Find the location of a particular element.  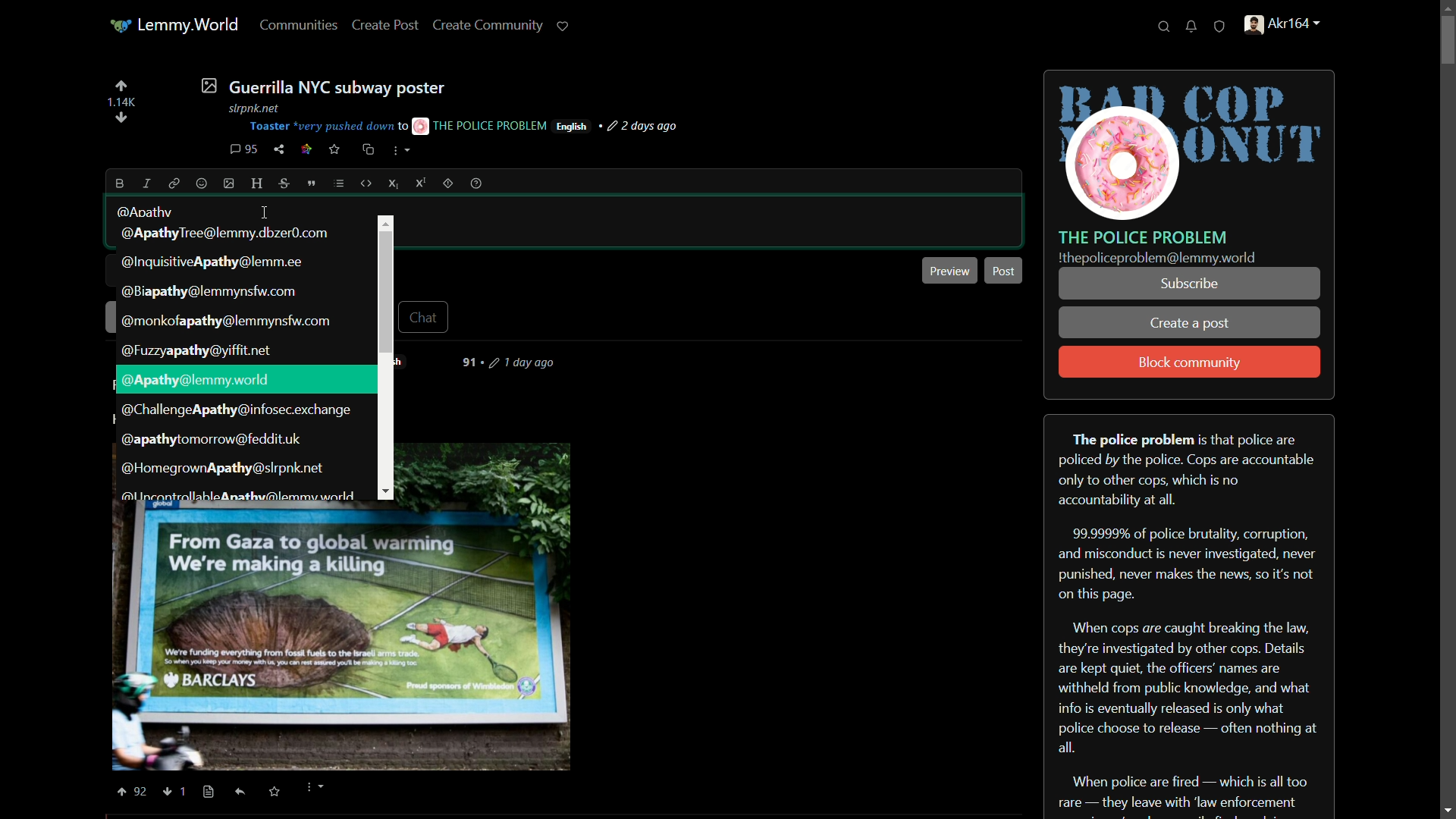

code is located at coordinates (367, 184).